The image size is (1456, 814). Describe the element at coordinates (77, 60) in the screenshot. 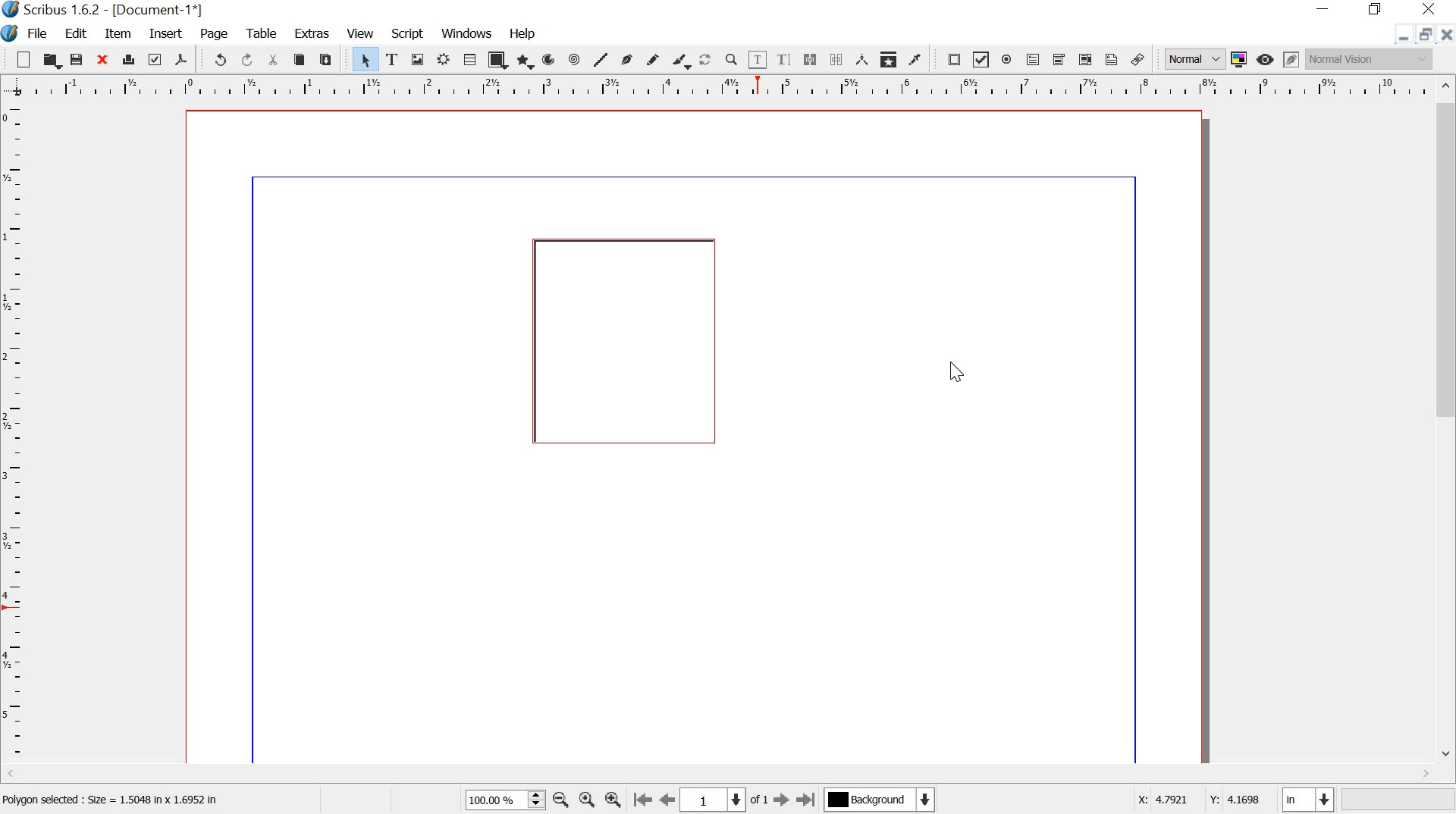

I see `save` at that location.